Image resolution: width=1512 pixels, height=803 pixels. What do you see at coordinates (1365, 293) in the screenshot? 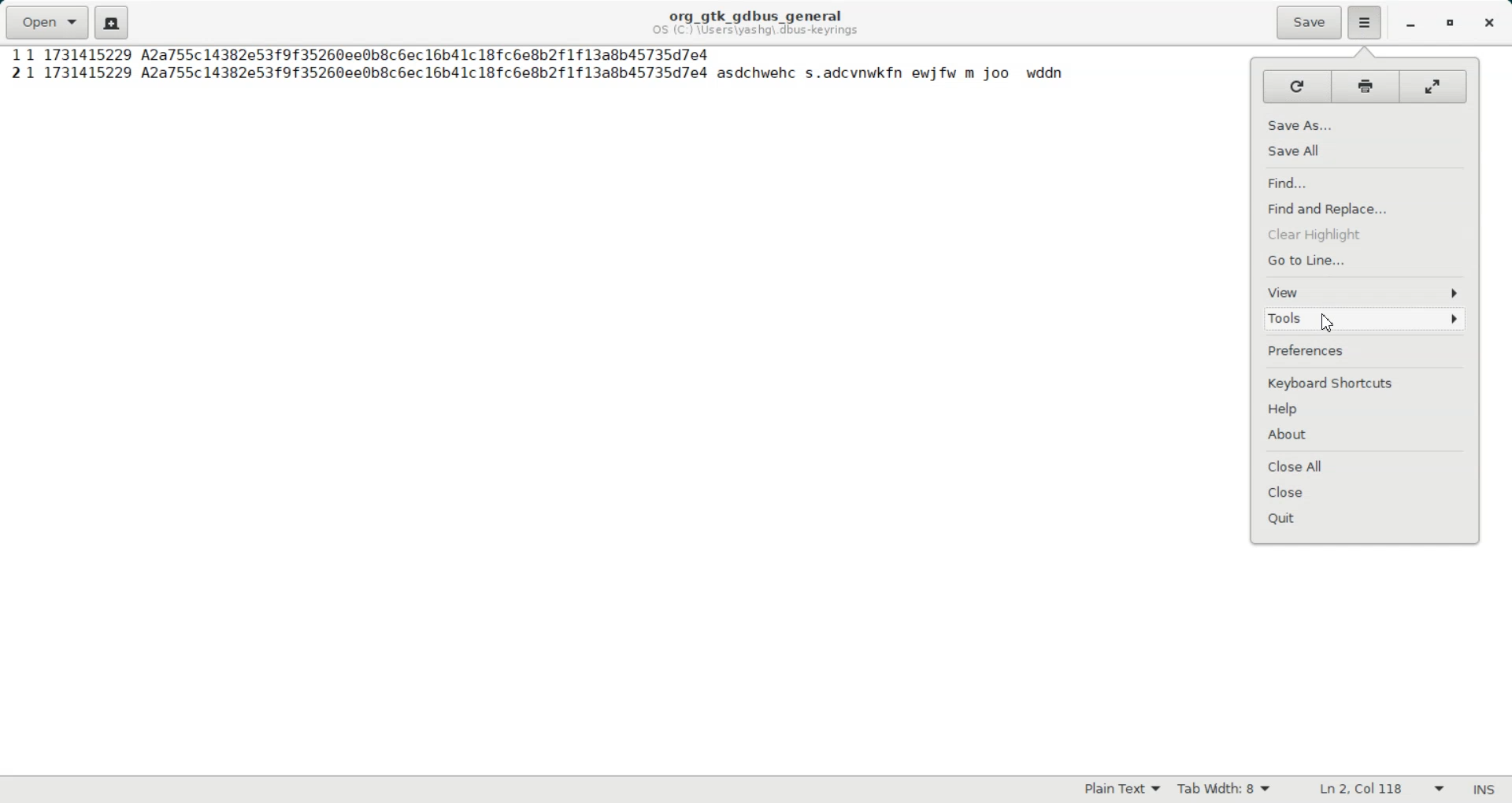
I see `View` at bounding box center [1365, 293].